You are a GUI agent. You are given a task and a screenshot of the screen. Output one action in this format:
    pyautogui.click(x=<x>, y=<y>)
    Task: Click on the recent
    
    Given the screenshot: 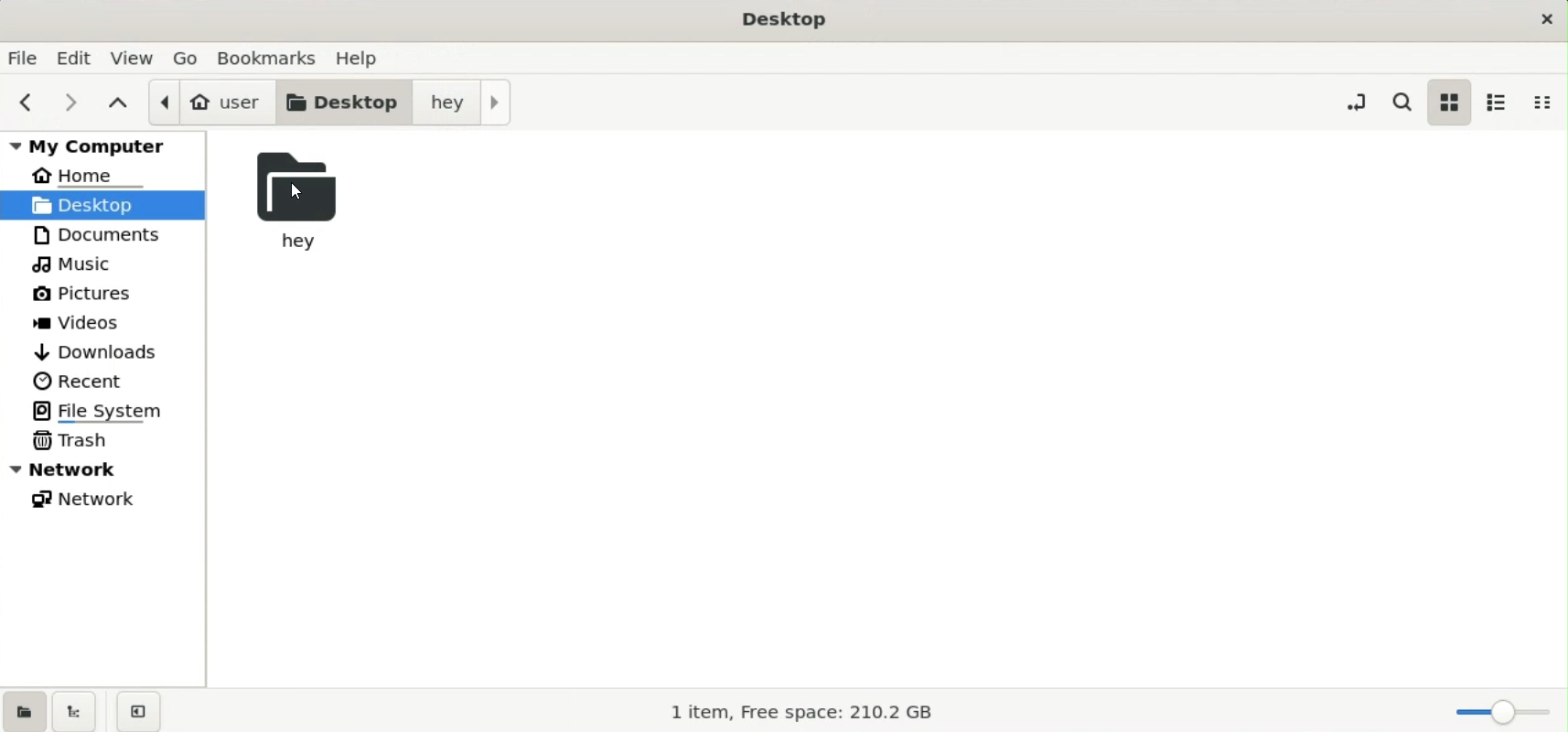 What is the action you would take?
    pyautogui.click(x=80, y=381)
    